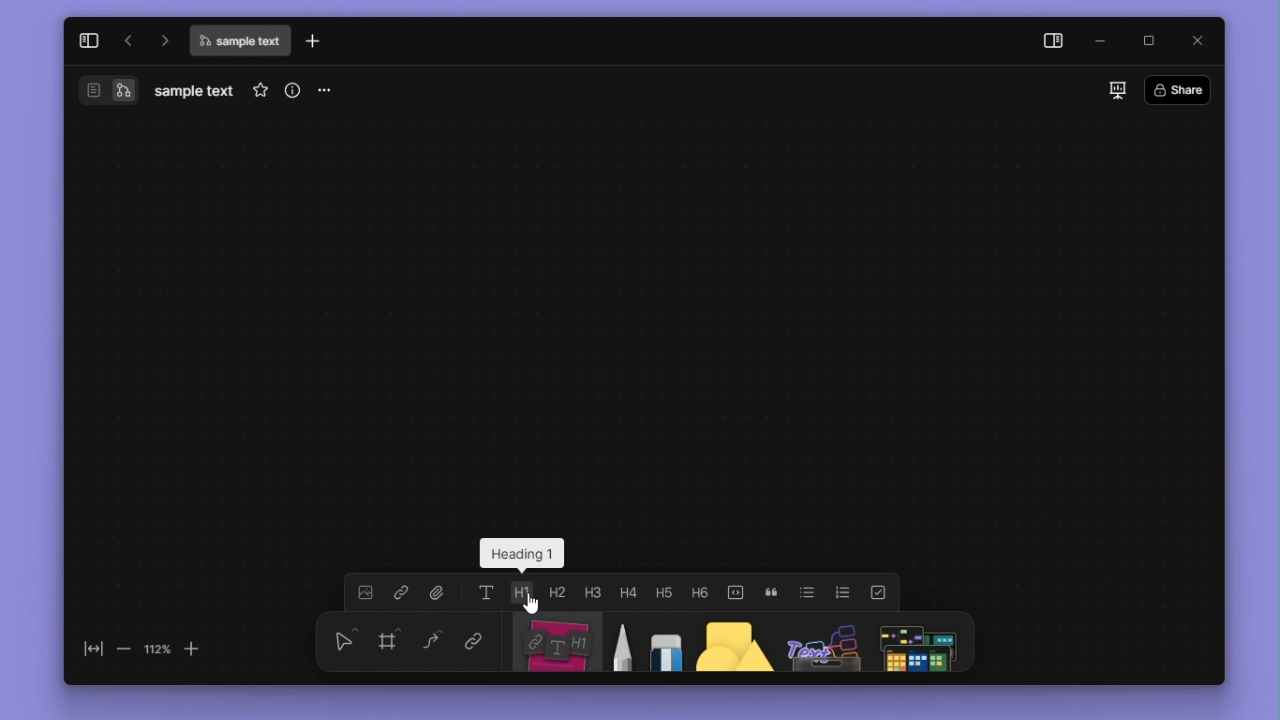 This screenshot has height=720, width=1280. What do you see at coordinates (239, 41) in the screenshot?
I see `file name` at bounding box center [239, 41].